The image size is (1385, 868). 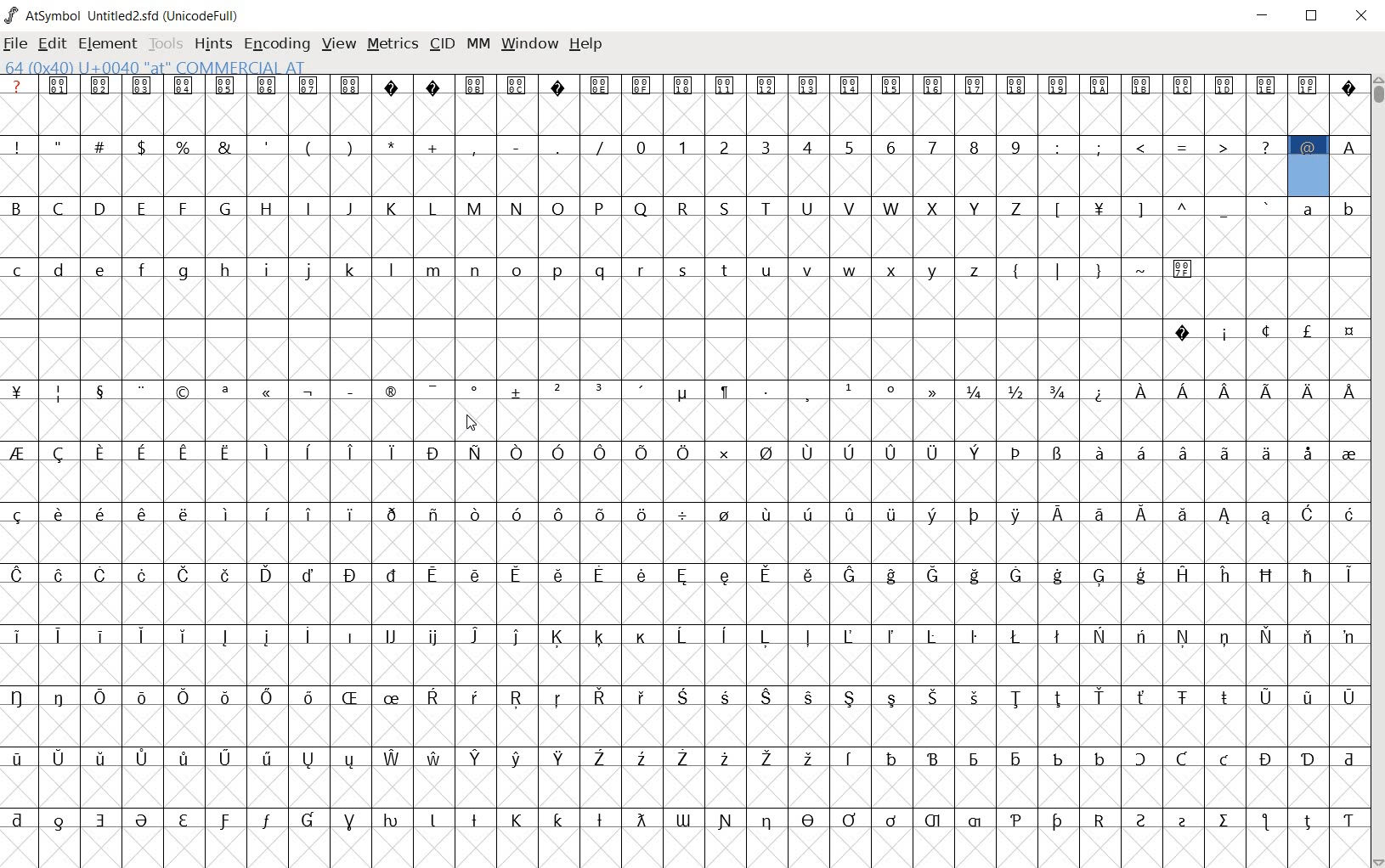 What do you see at coordinates (531, 42) in the screenshot?
I see `window` at bounding box center [531, 42].